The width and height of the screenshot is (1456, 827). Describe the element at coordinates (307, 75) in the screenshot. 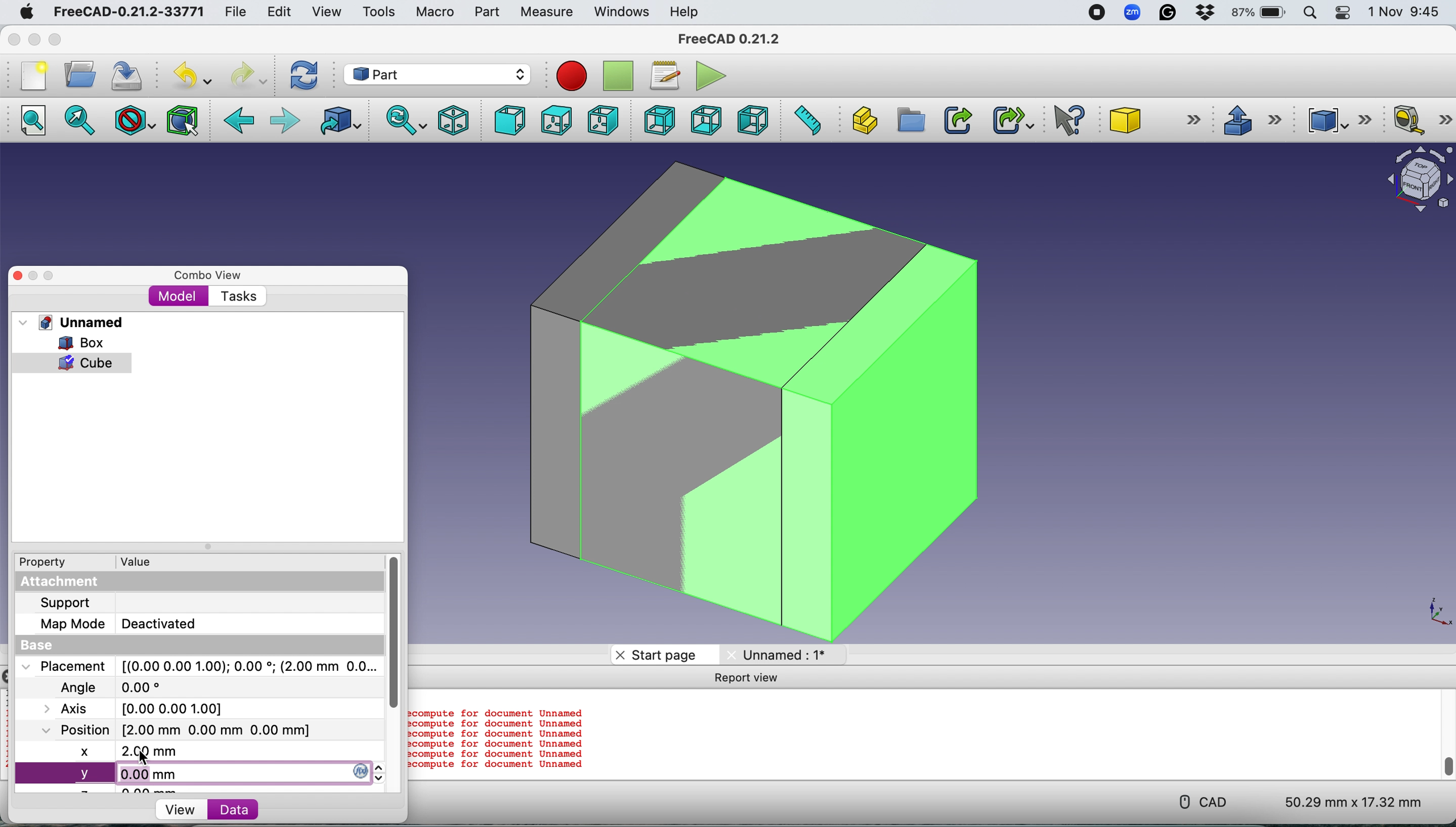

I see `Refresh` at that location.